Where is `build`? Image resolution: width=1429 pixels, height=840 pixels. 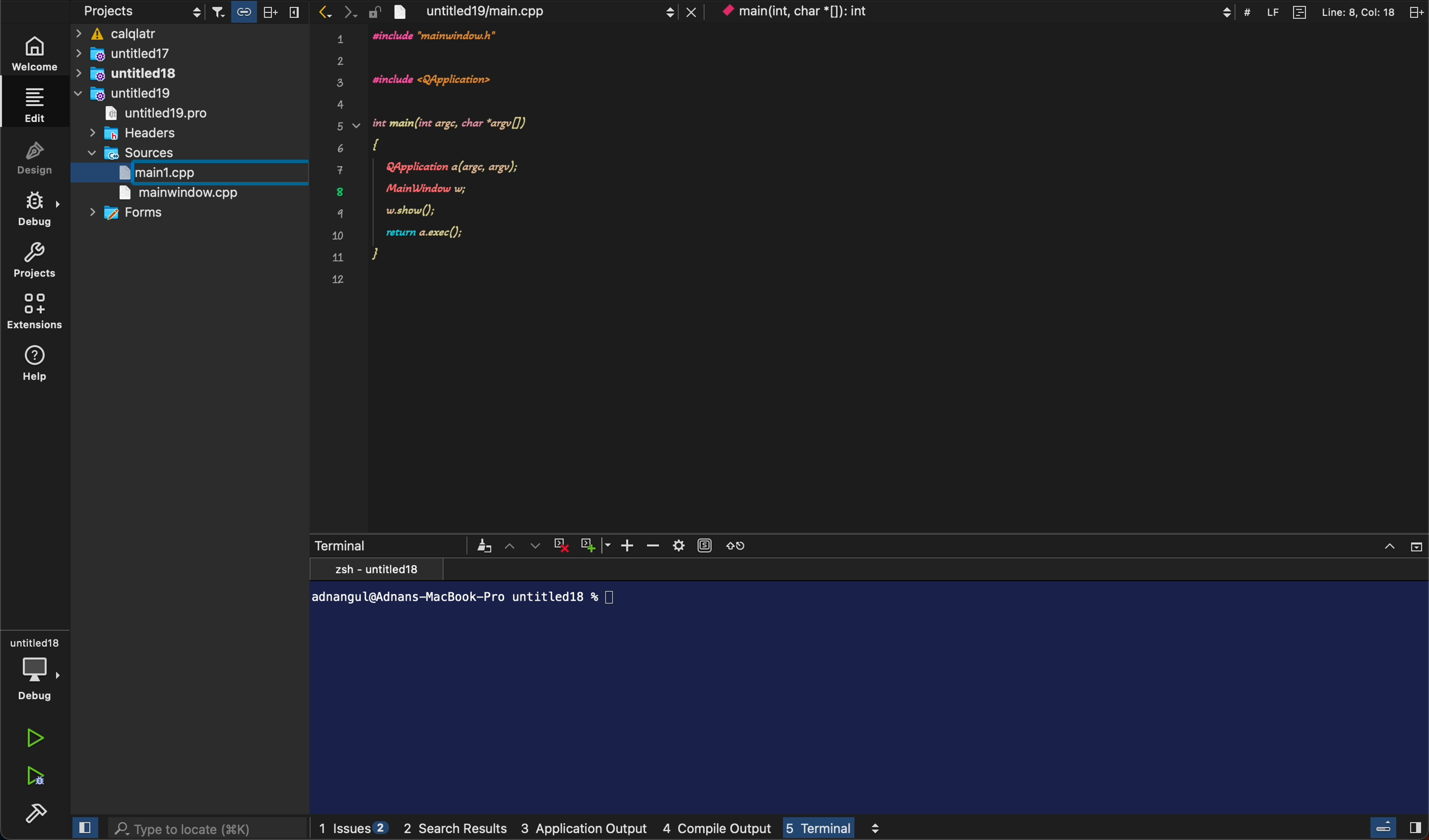
build is located at coordinates (37, 813).